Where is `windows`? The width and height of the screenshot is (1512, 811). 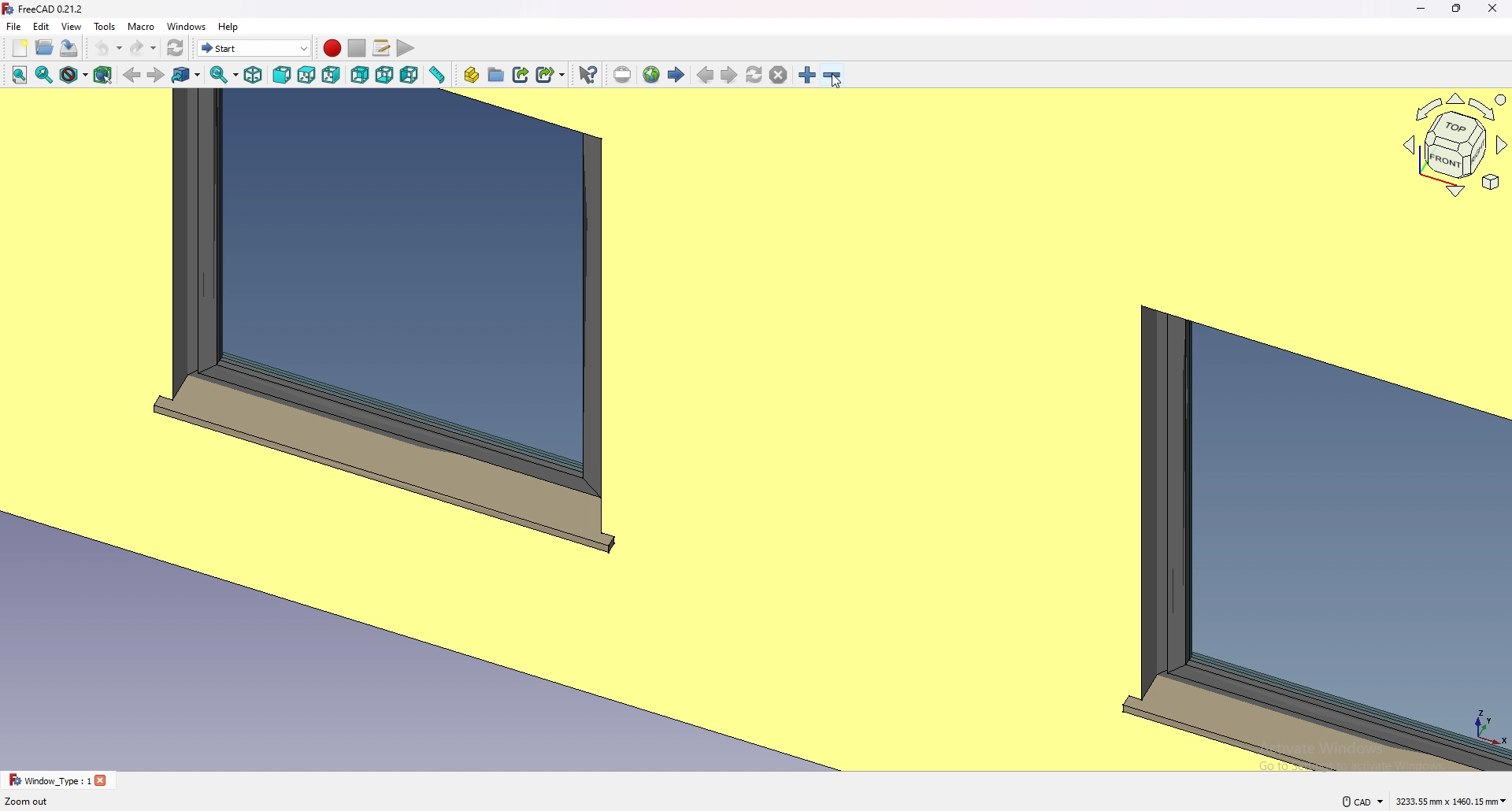 windows is located at coordinates (188, 26).